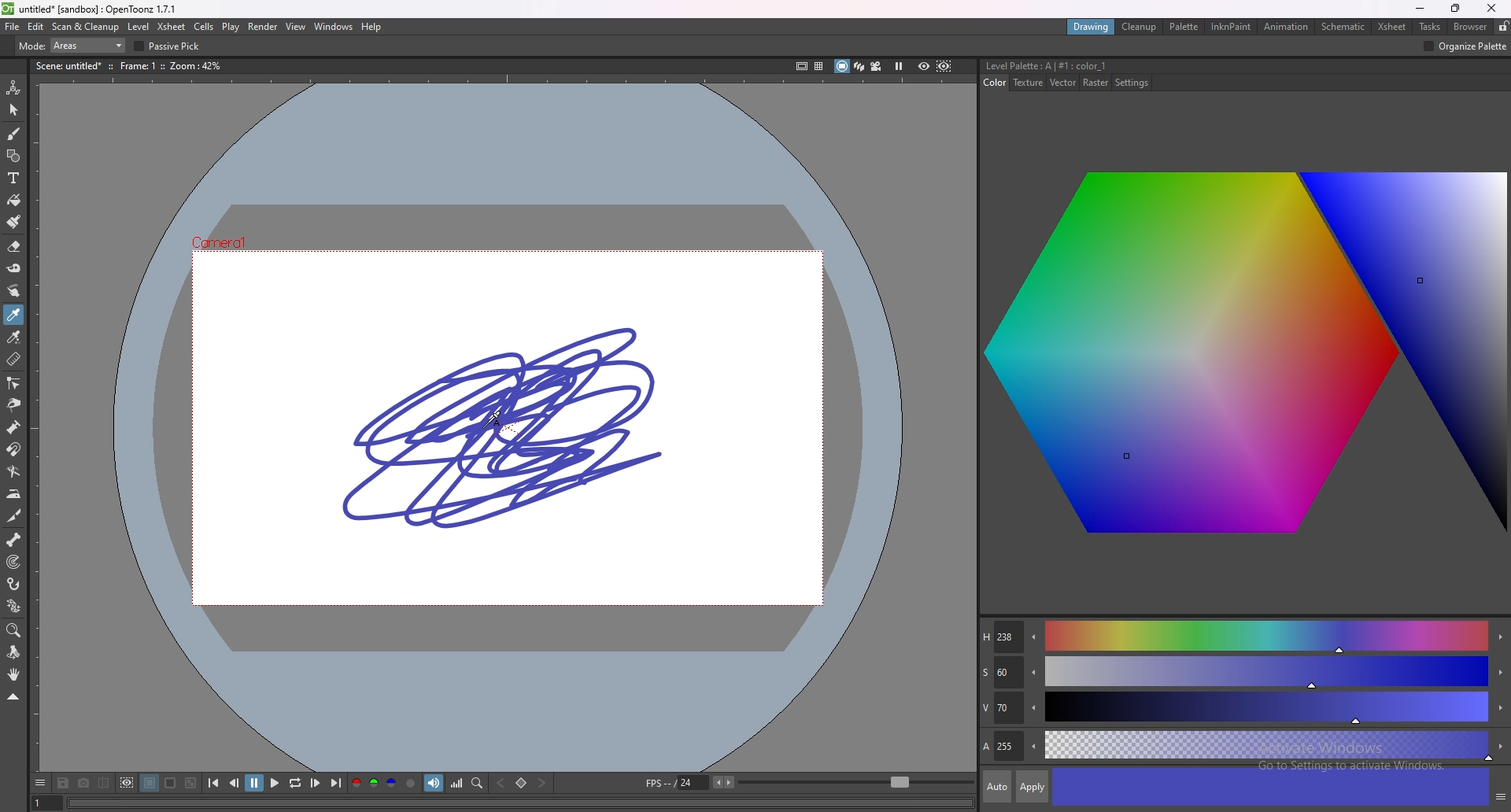  What do you see at coordinates (1141, 28) in the screenshot?
I see `cleanup` at bounding box center [1141, 28].